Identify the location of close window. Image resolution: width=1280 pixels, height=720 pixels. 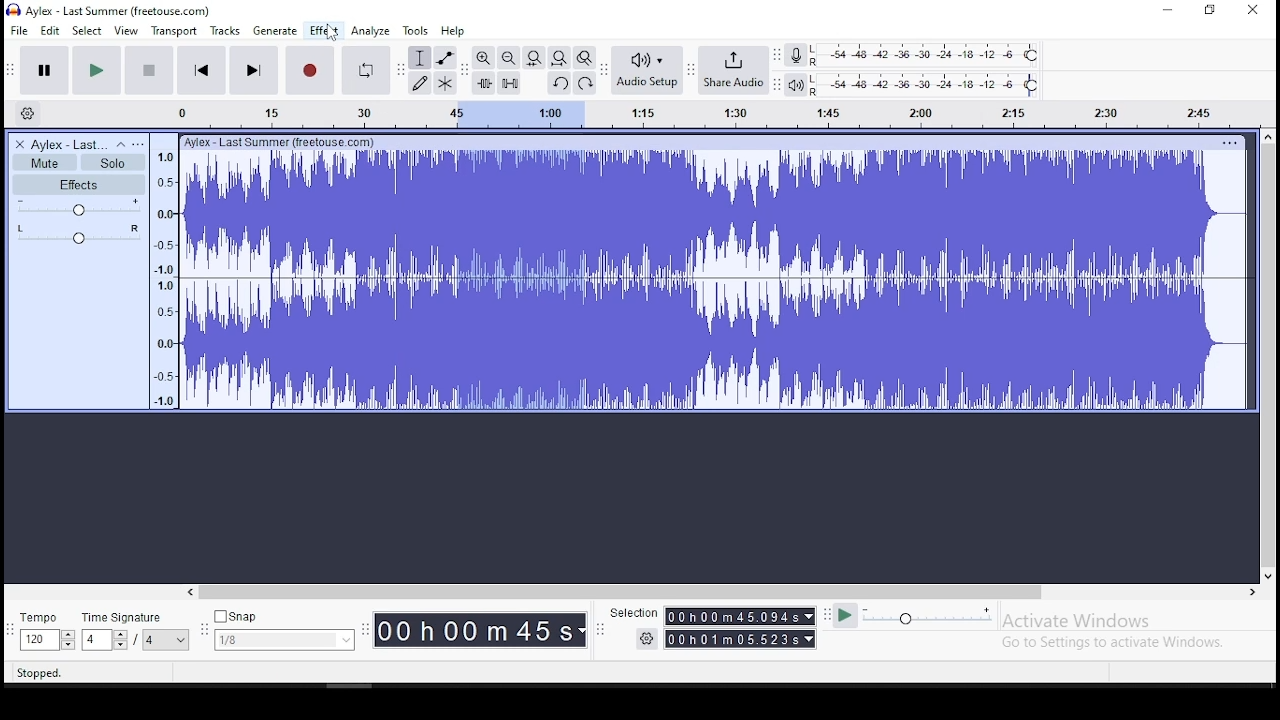
(1253, 11).